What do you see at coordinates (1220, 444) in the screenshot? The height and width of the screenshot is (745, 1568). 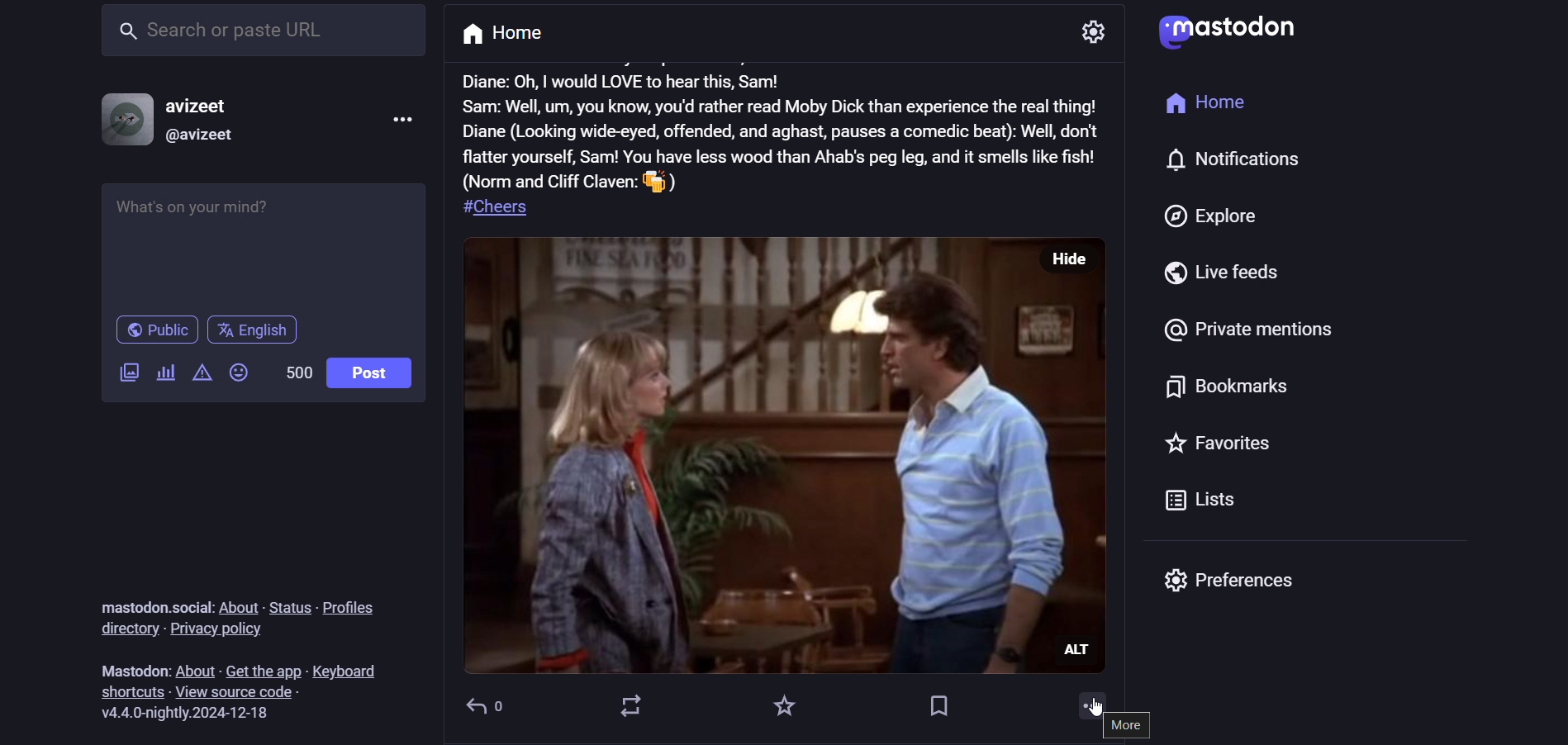 I see `favorites` at bounding box center [1220, 444].